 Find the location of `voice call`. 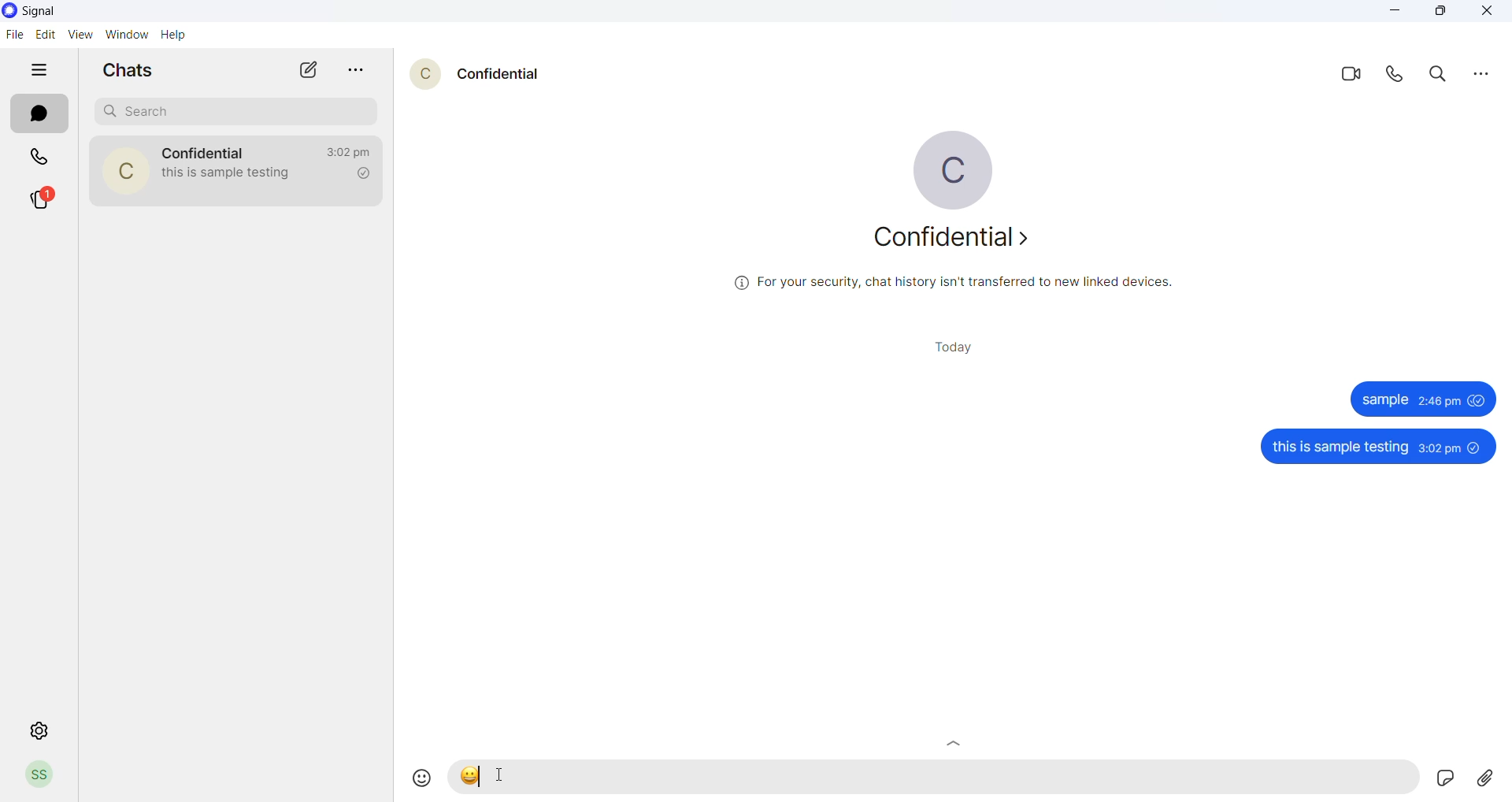

voice call is located at coordinates (1395, 76).